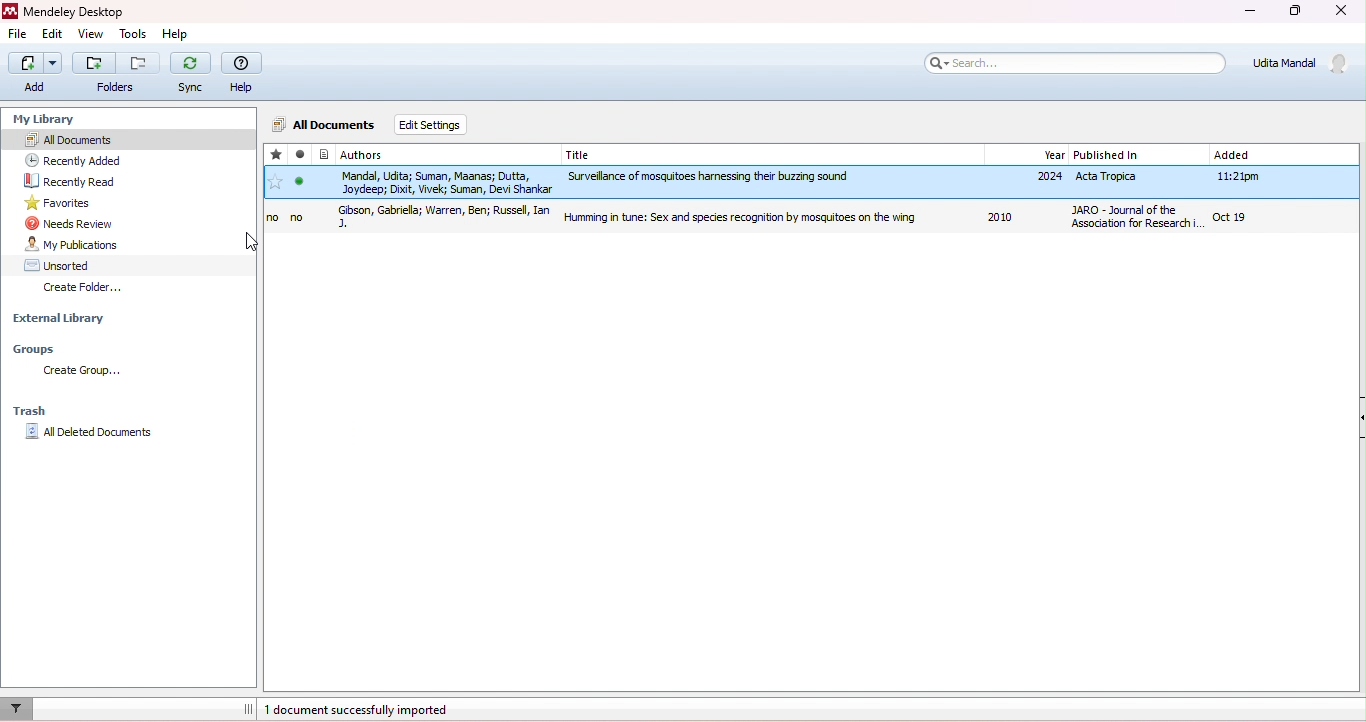 The height and width of the screenshot is (722, 1366). What do you see at coordinates (60, 203) in the screenshot?
I see `favorites` at bounding box center [60, 203].